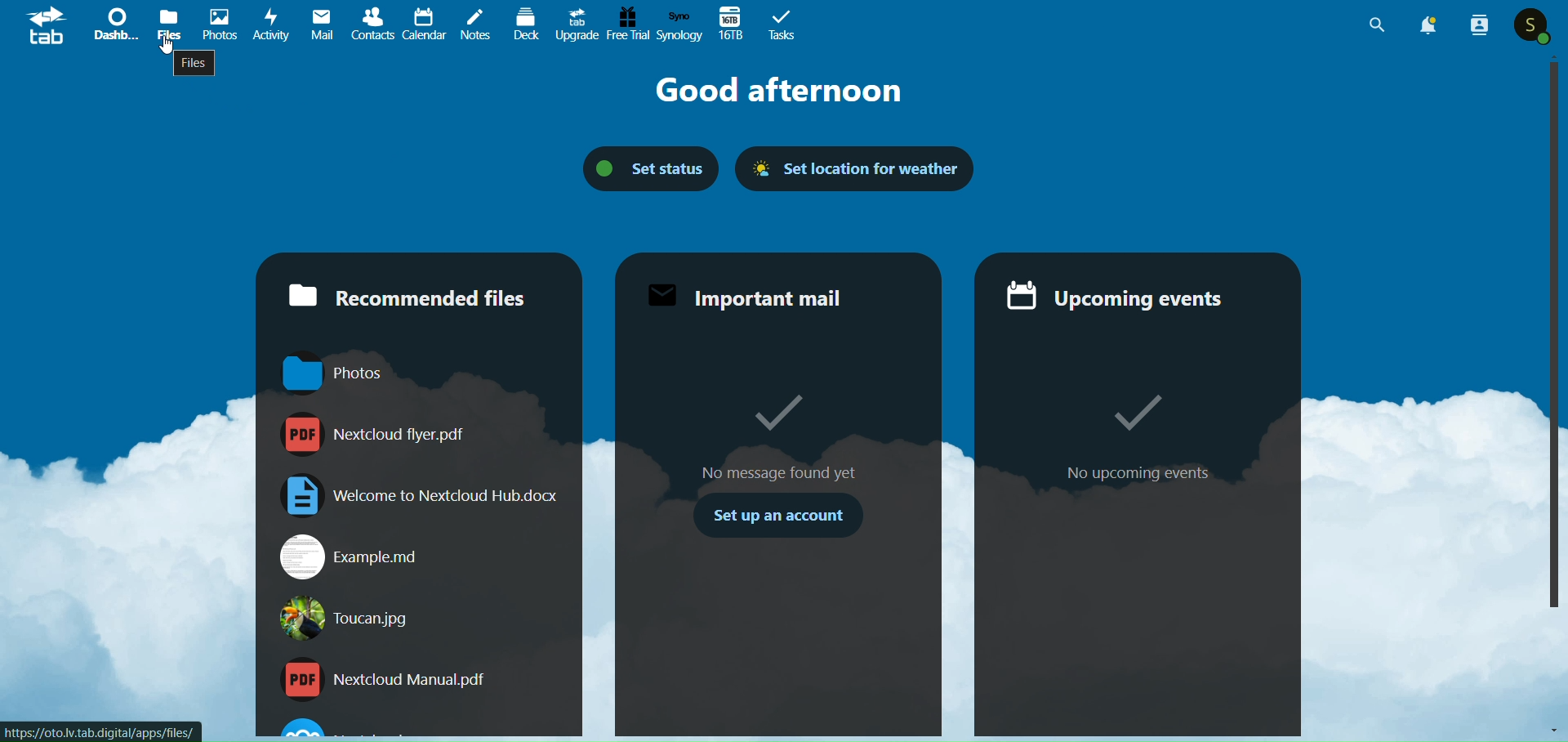 This screenshot has height=742, width=1568. What do you see at coordinates (1481, 27) in the screenshot?
I see `people` at bounding box center [1481, 27].